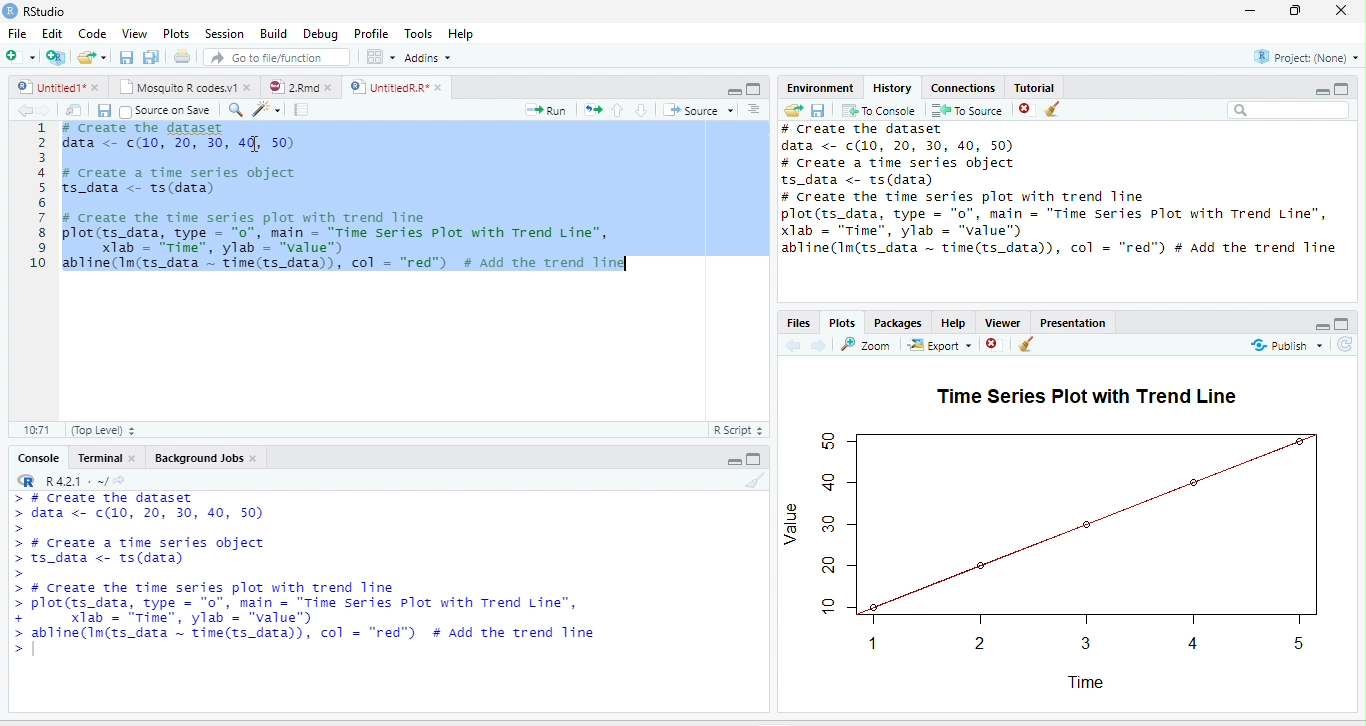 This screenshot has width=1366, height=726. What do you see at coordinates (165, 110) in the screenshot?
I see `Source on Save` at bounding box center [165, 110].